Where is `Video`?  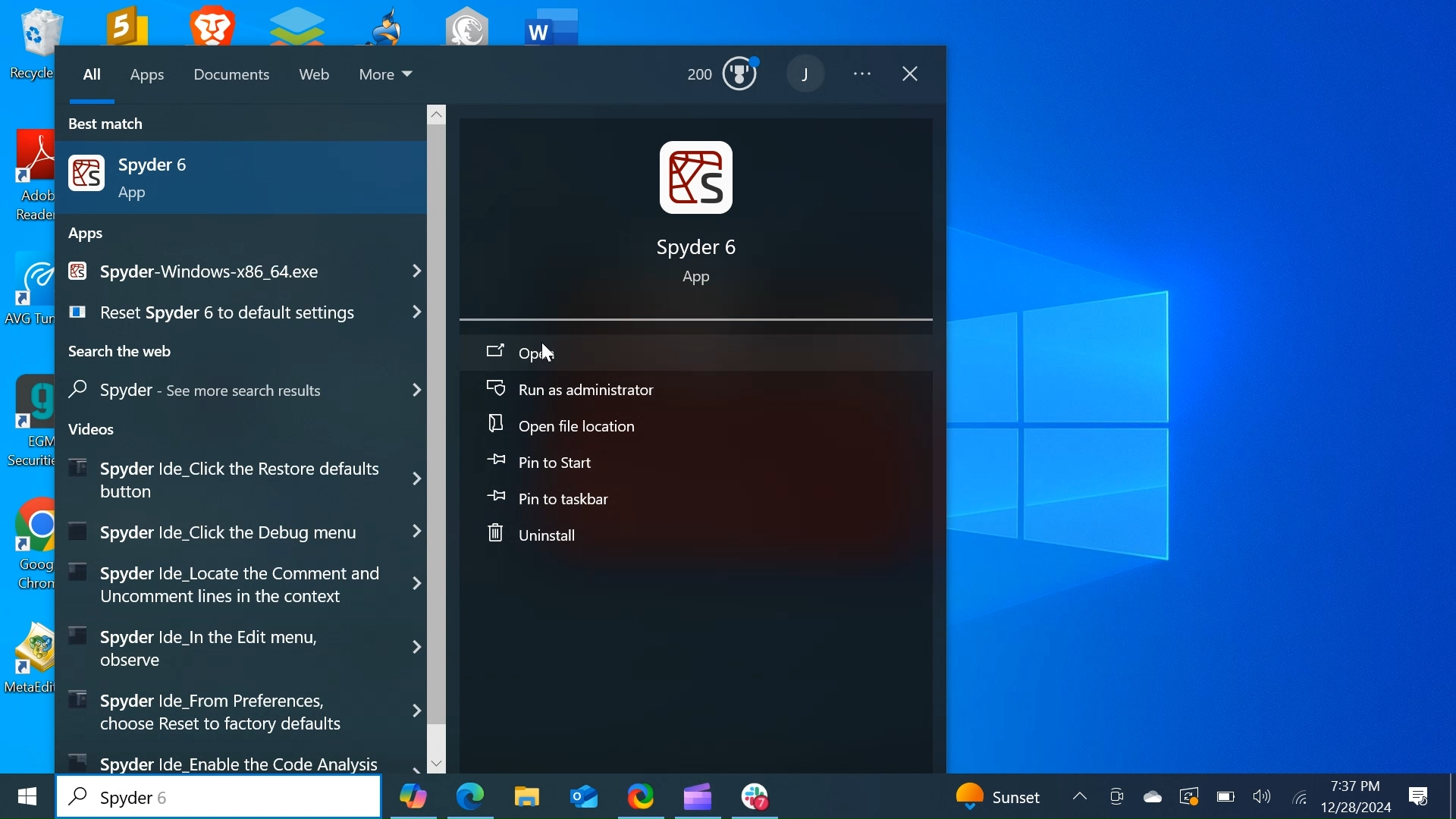
Video is located at coordinates (240, 710).